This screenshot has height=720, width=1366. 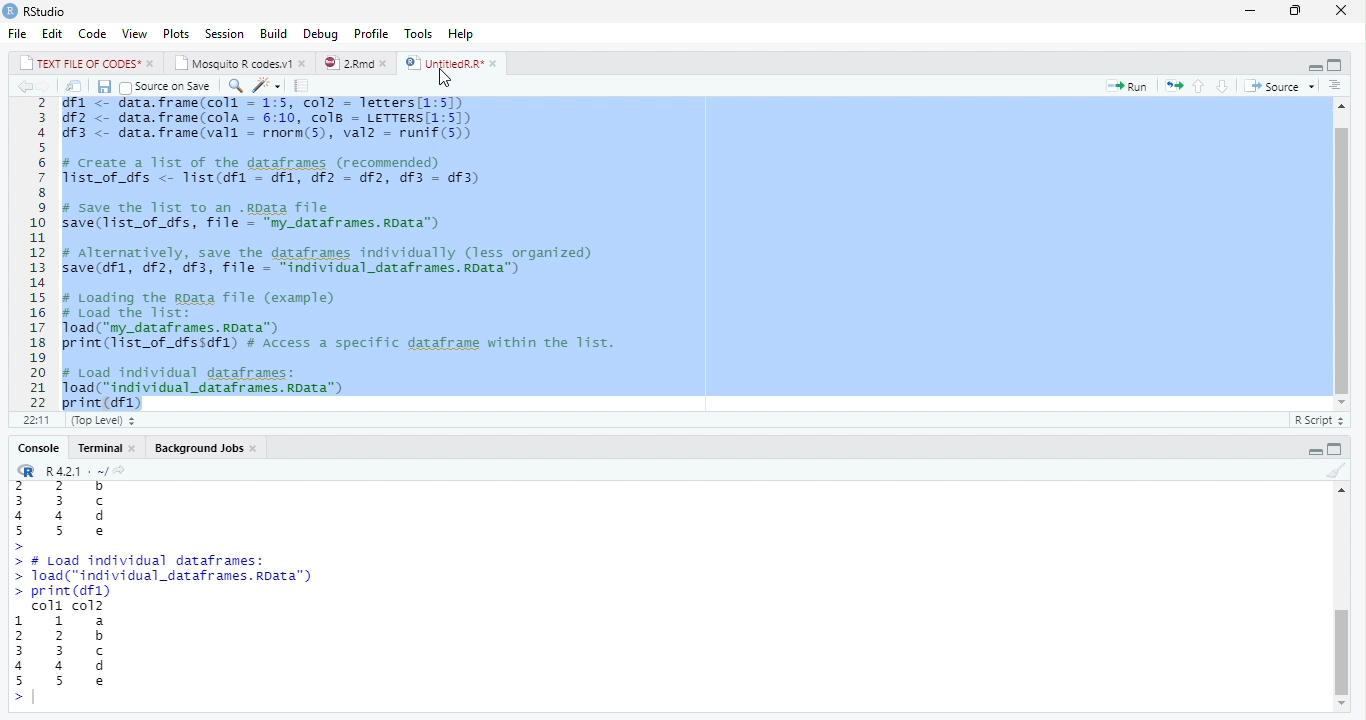 I want to click on Console, so click(x=37, y=448).